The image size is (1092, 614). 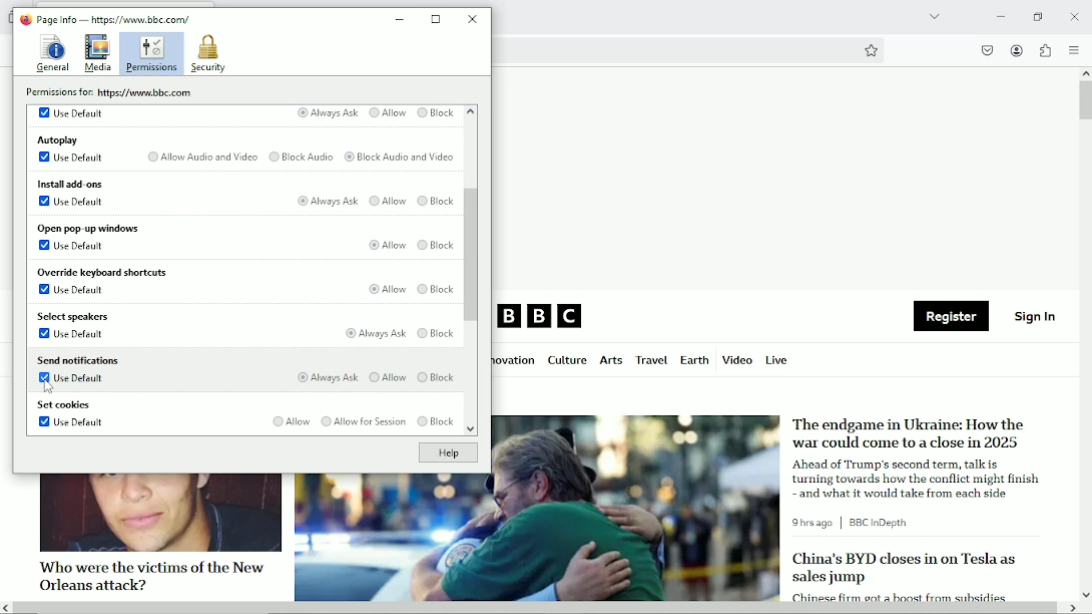 I want to click on Cursor, so click(x=48, y=388).